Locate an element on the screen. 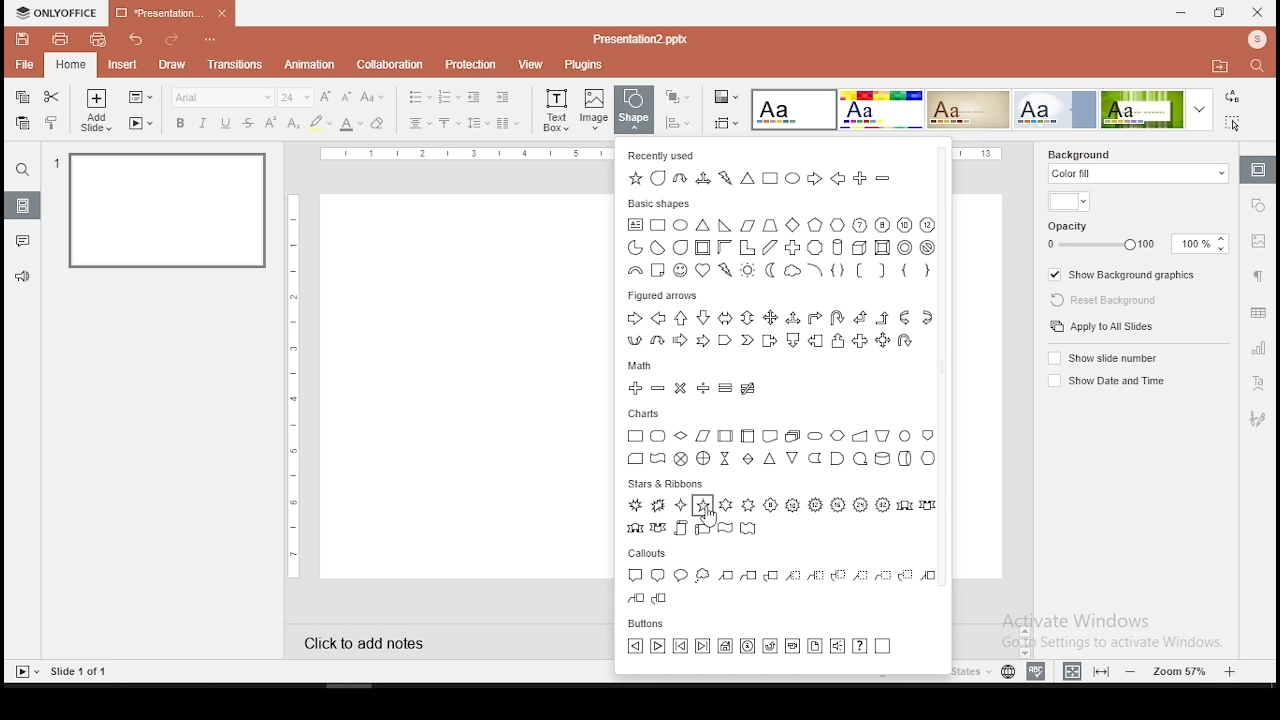  numbering is located at coordinates (450, 96).